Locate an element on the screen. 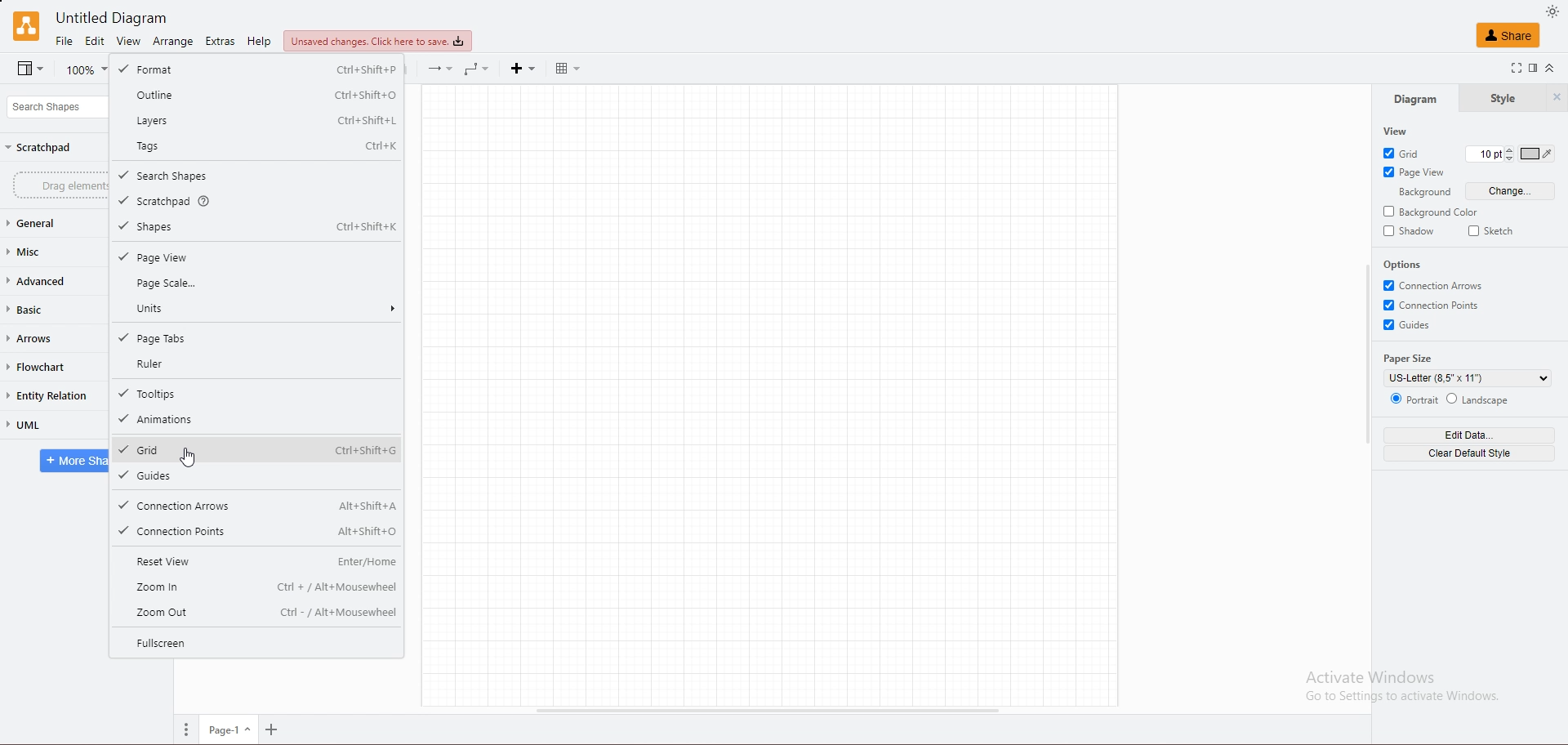  fullscreen is located at coordinates (256, 642).